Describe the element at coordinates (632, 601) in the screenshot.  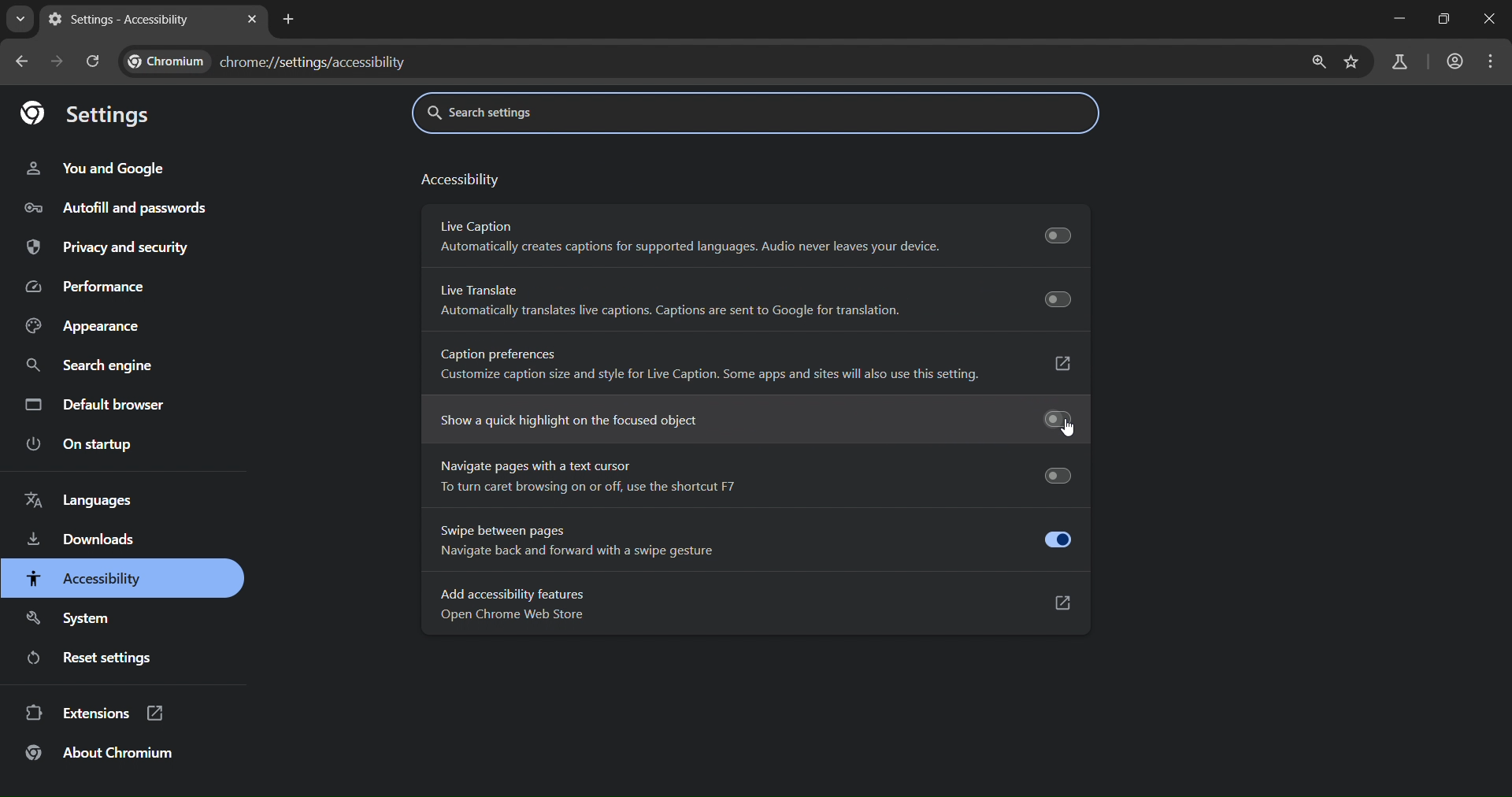
I see `add accessibility features` at that location.